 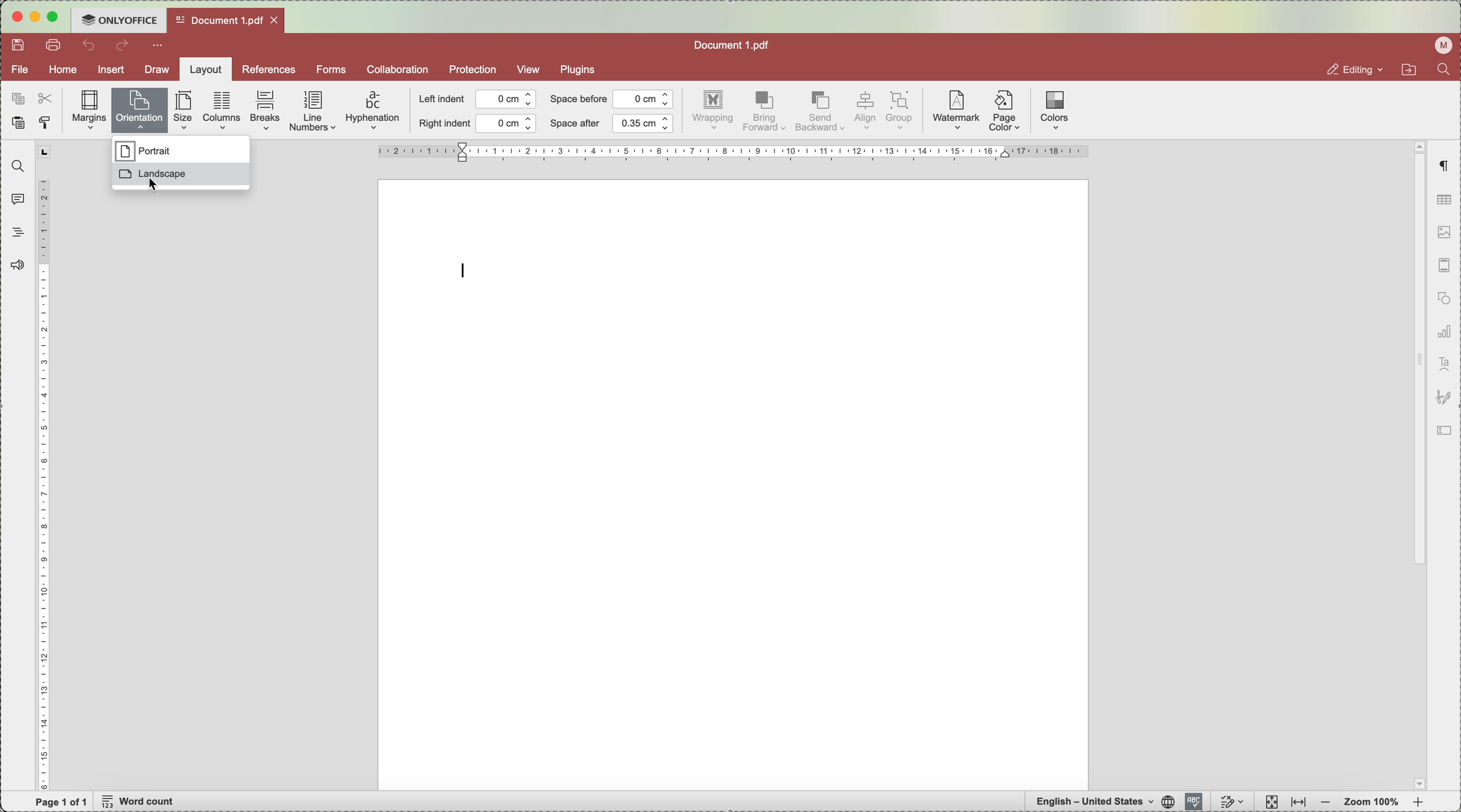 I want to click on close program, so click(x=15, y=19).